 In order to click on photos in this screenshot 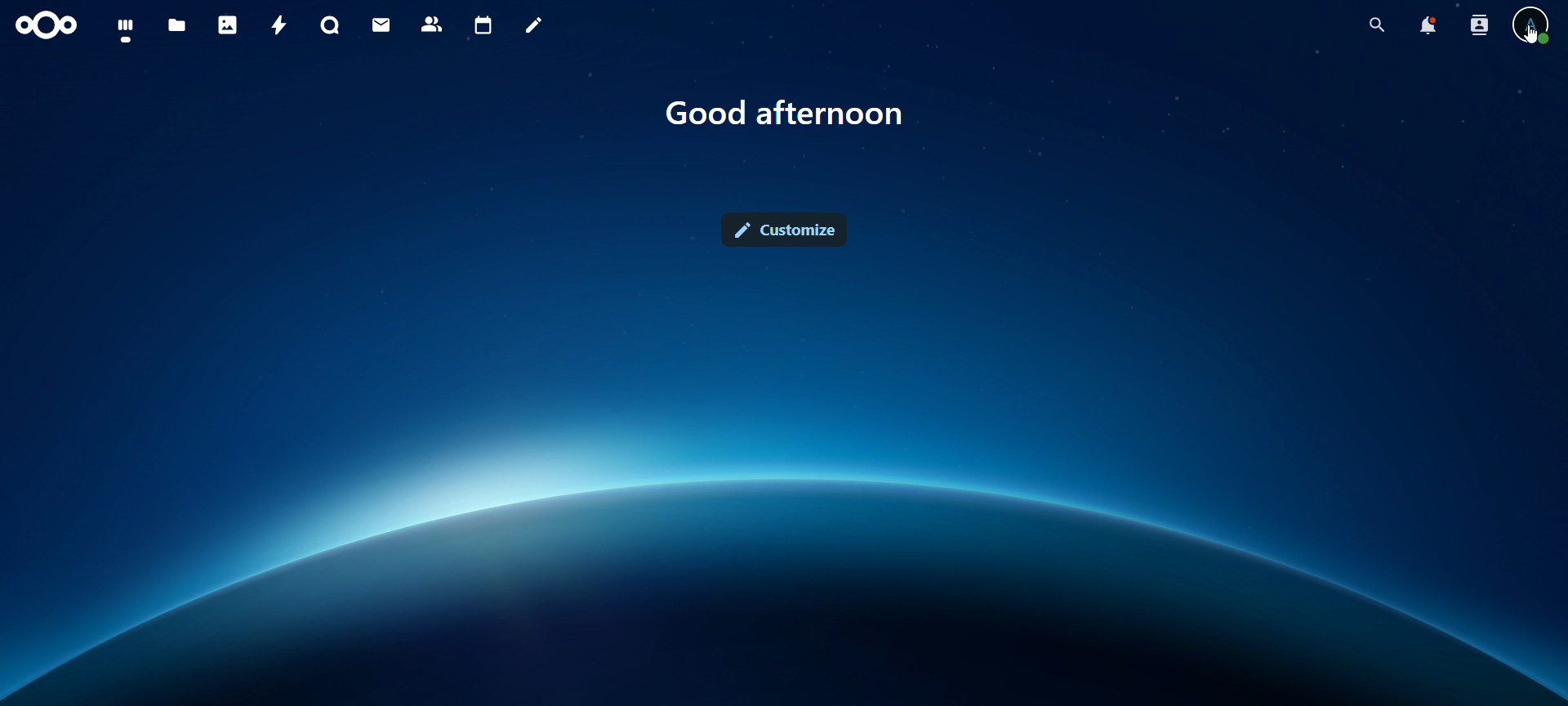, I will do `click(227, 25)`.